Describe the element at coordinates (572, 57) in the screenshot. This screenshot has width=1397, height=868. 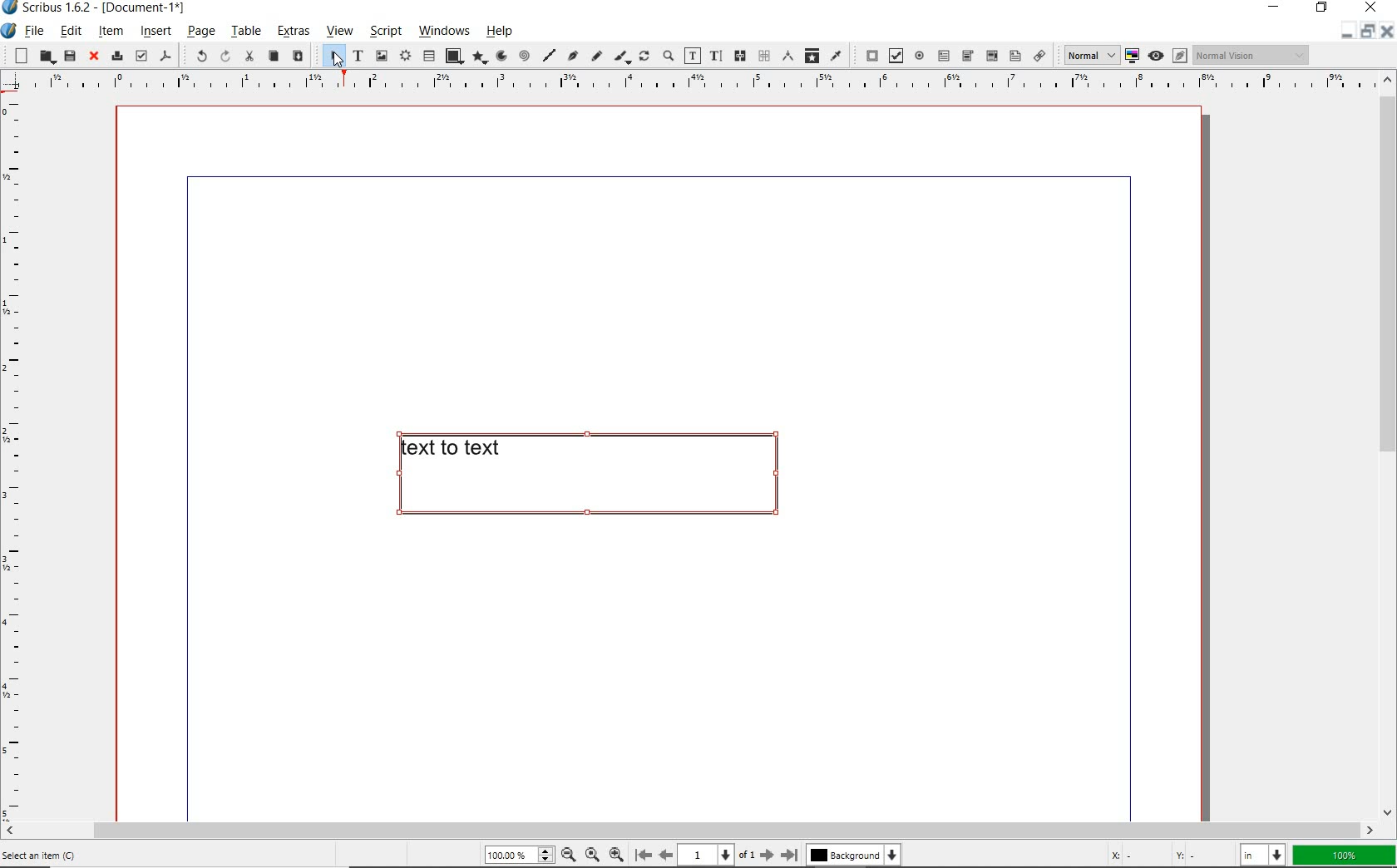
I see `Bezier curve` at that location.